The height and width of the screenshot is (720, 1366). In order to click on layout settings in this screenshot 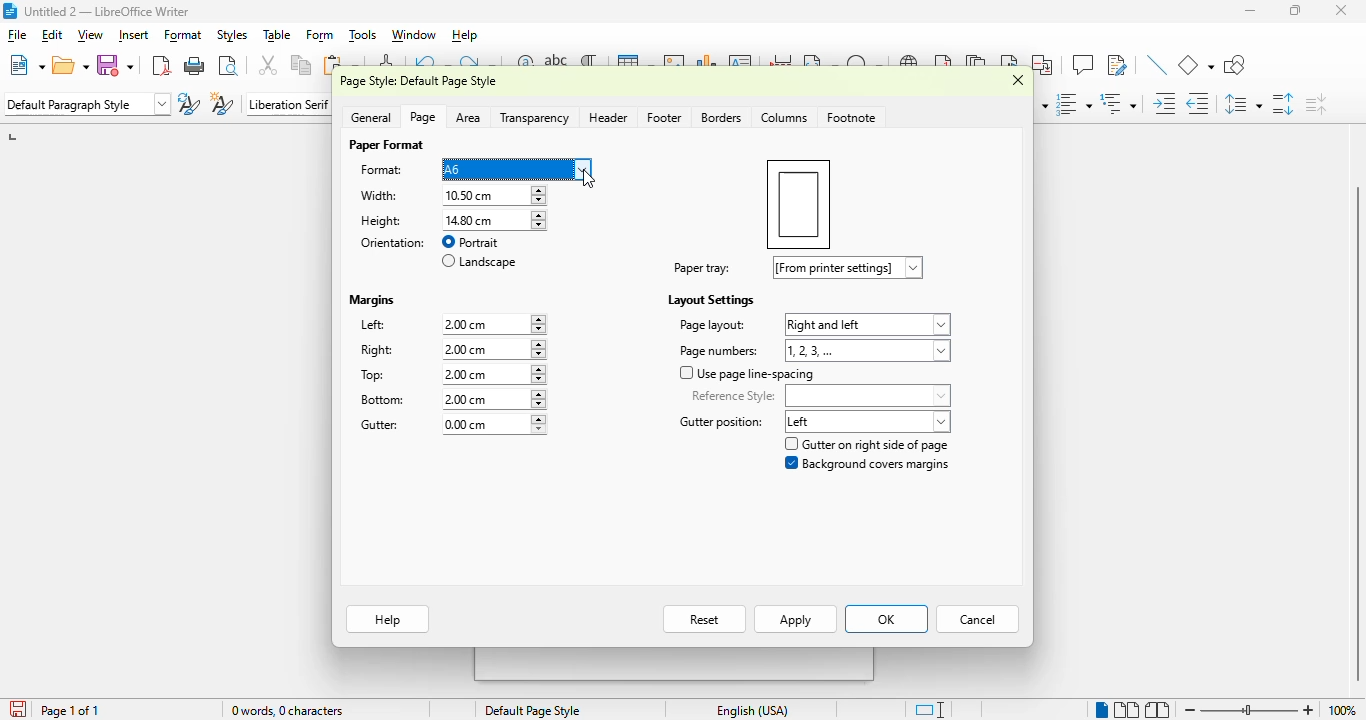, I will do `click(710, 300)`.